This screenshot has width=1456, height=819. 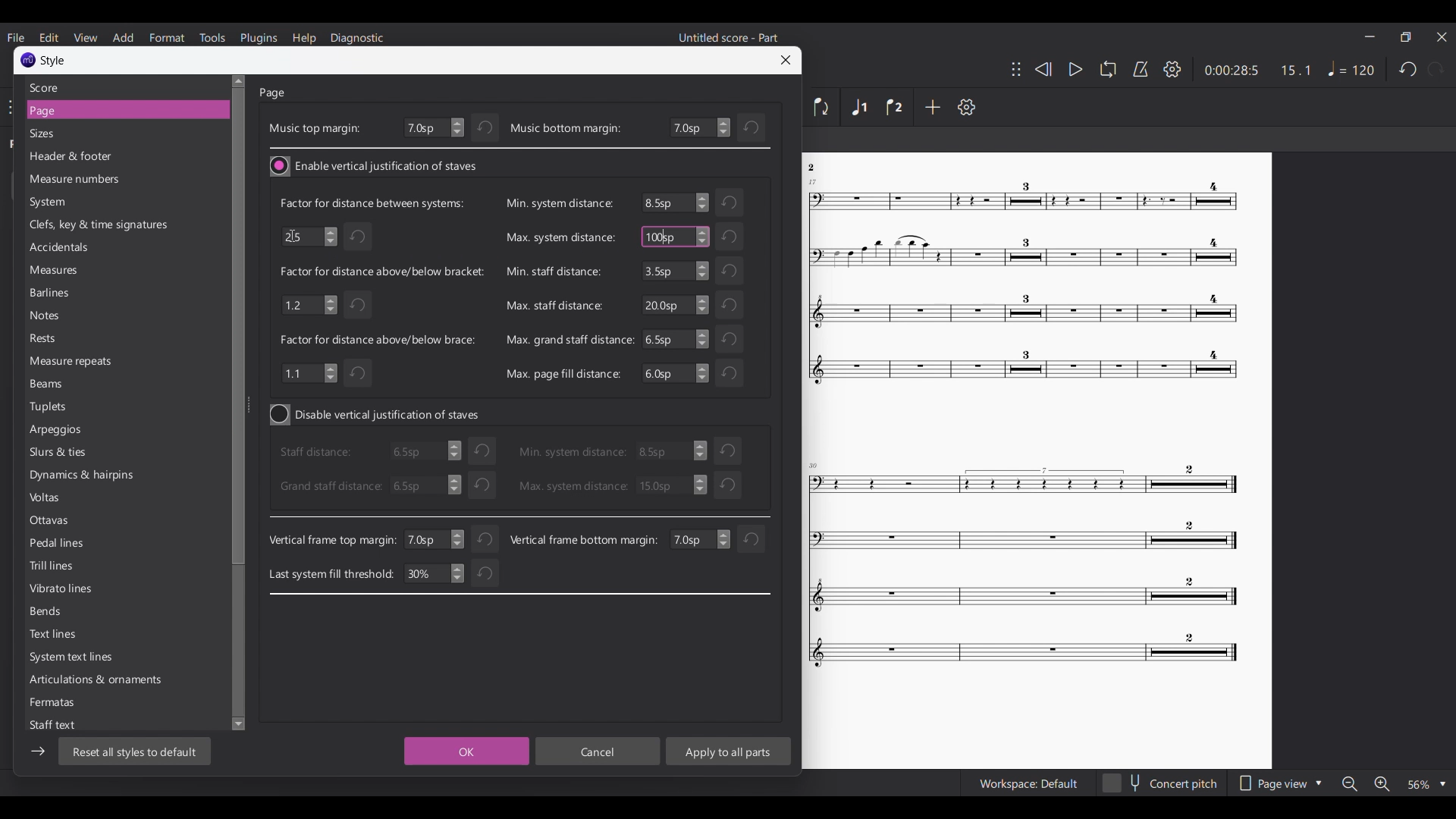 What do you see at coordinates (82, 522) in the screenshot?
I see `Ottavas` at bounding box center [82, 522].